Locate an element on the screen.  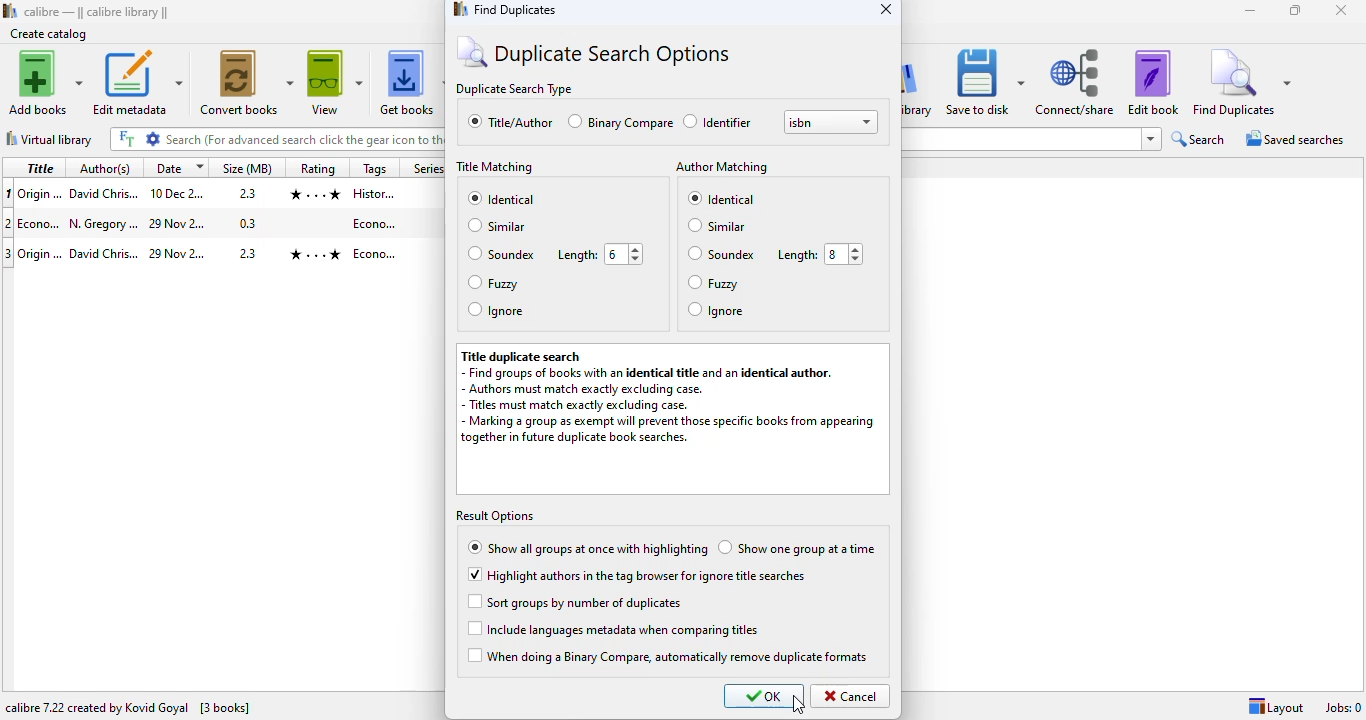
identical is located at coordinates (501, 197).